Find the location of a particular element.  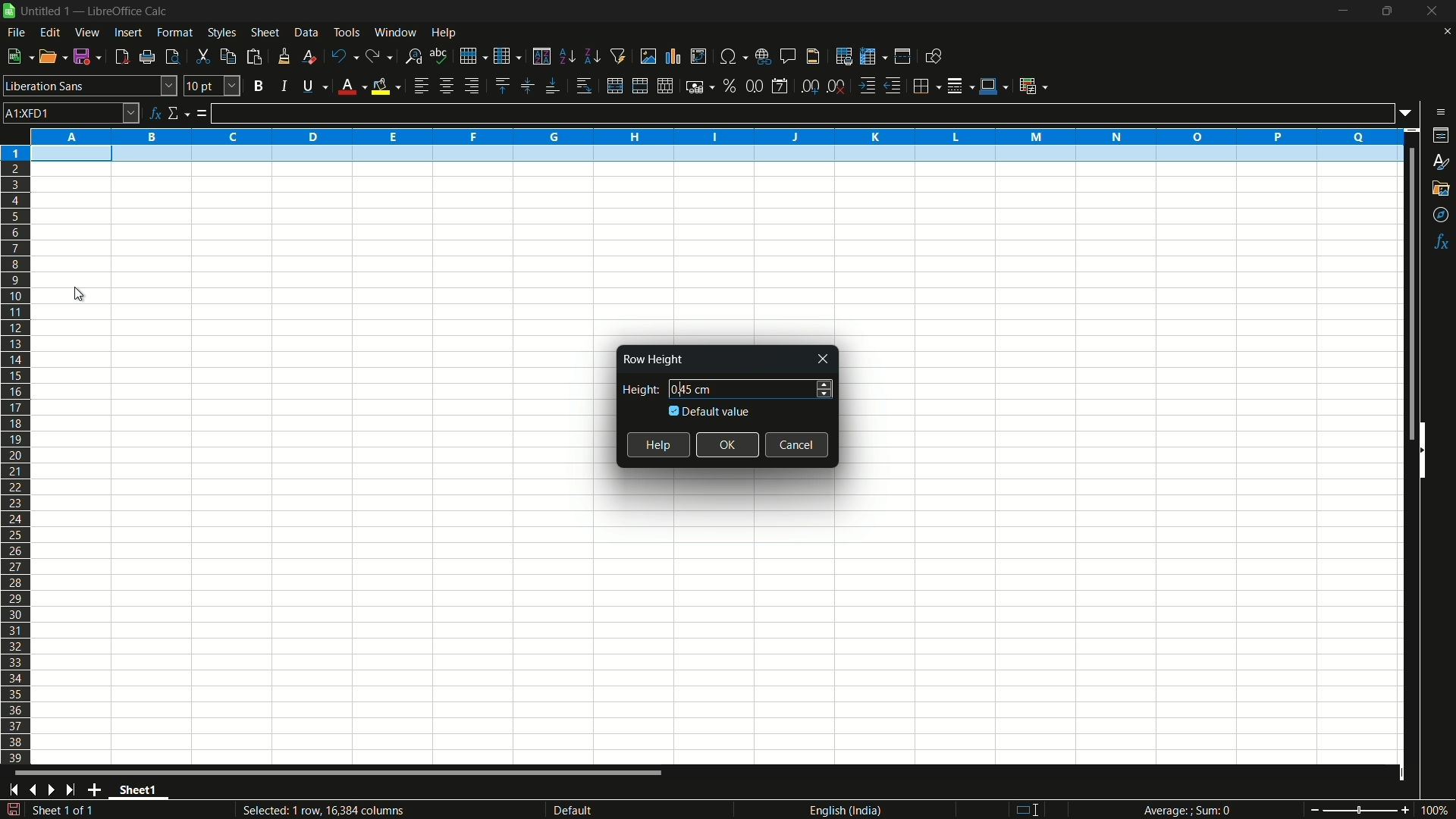

standard selection is located at coordinates (1033, 809).